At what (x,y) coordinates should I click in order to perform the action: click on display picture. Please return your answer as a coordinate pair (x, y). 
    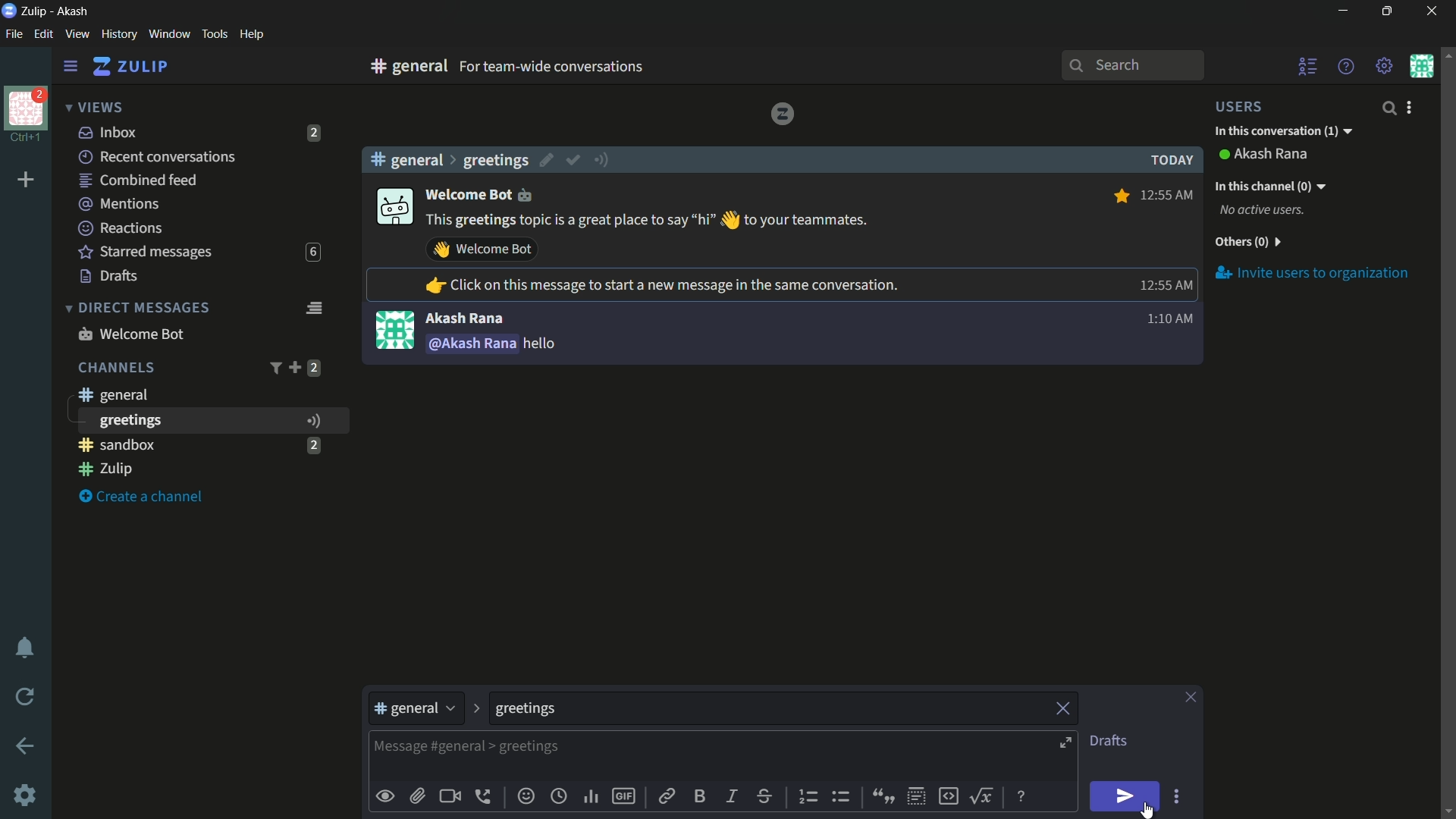
    Looking at the image, I should click on (393, 208).